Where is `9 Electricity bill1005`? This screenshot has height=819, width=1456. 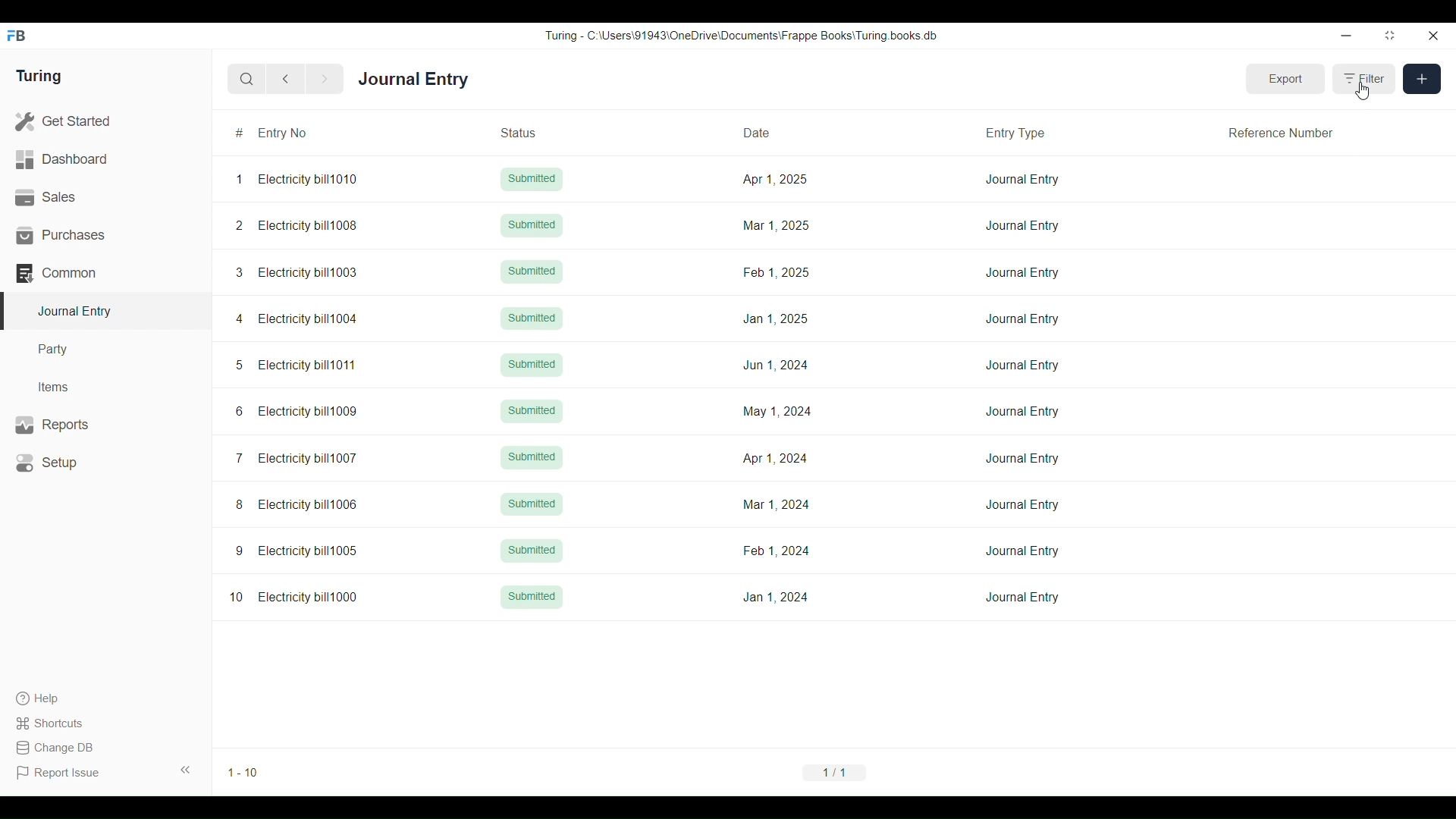
9 Electricity bill1005 is located at coordinates (297, 551).